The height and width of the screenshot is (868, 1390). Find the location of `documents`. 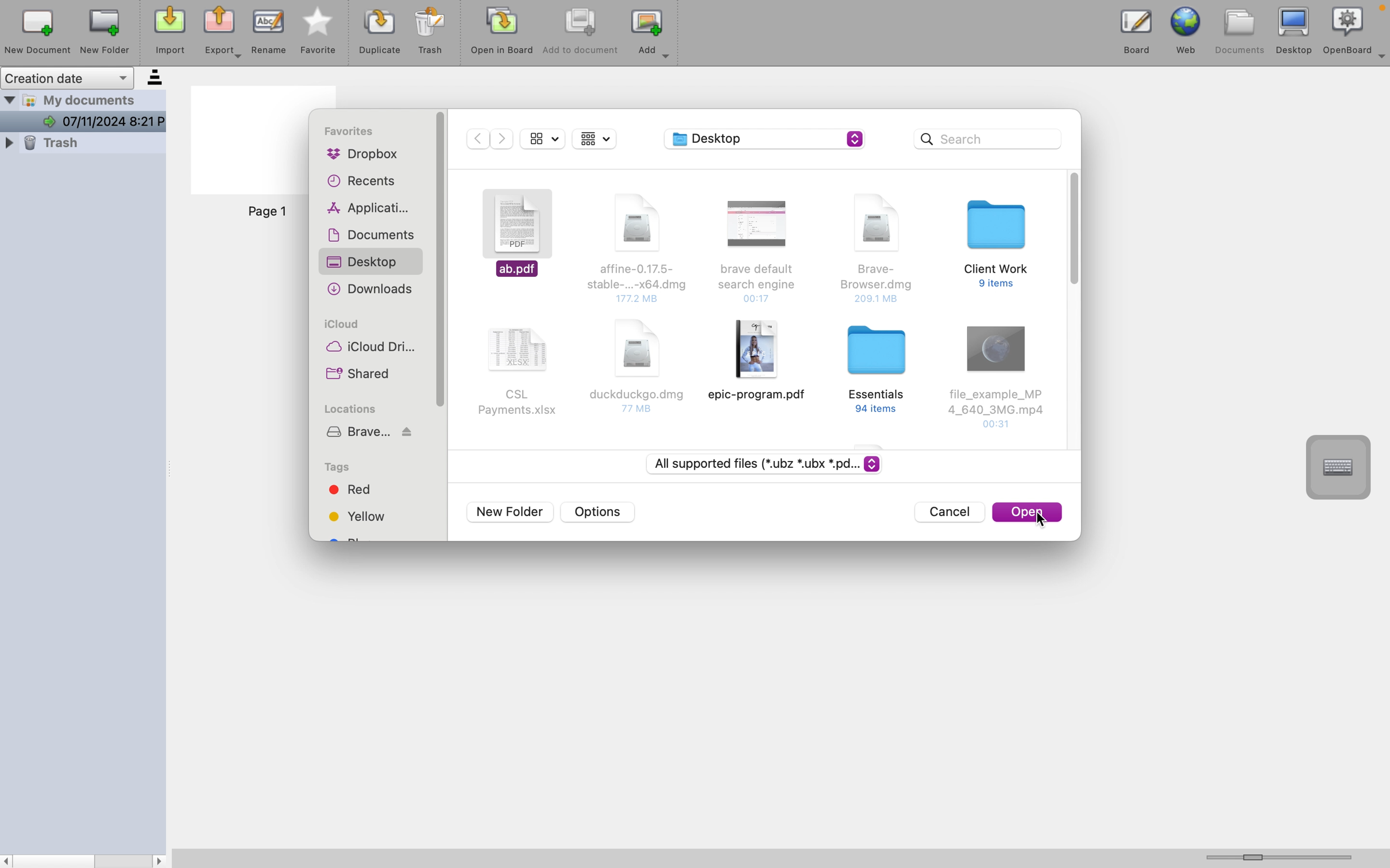

documents is located at coordinates (1241, 30).